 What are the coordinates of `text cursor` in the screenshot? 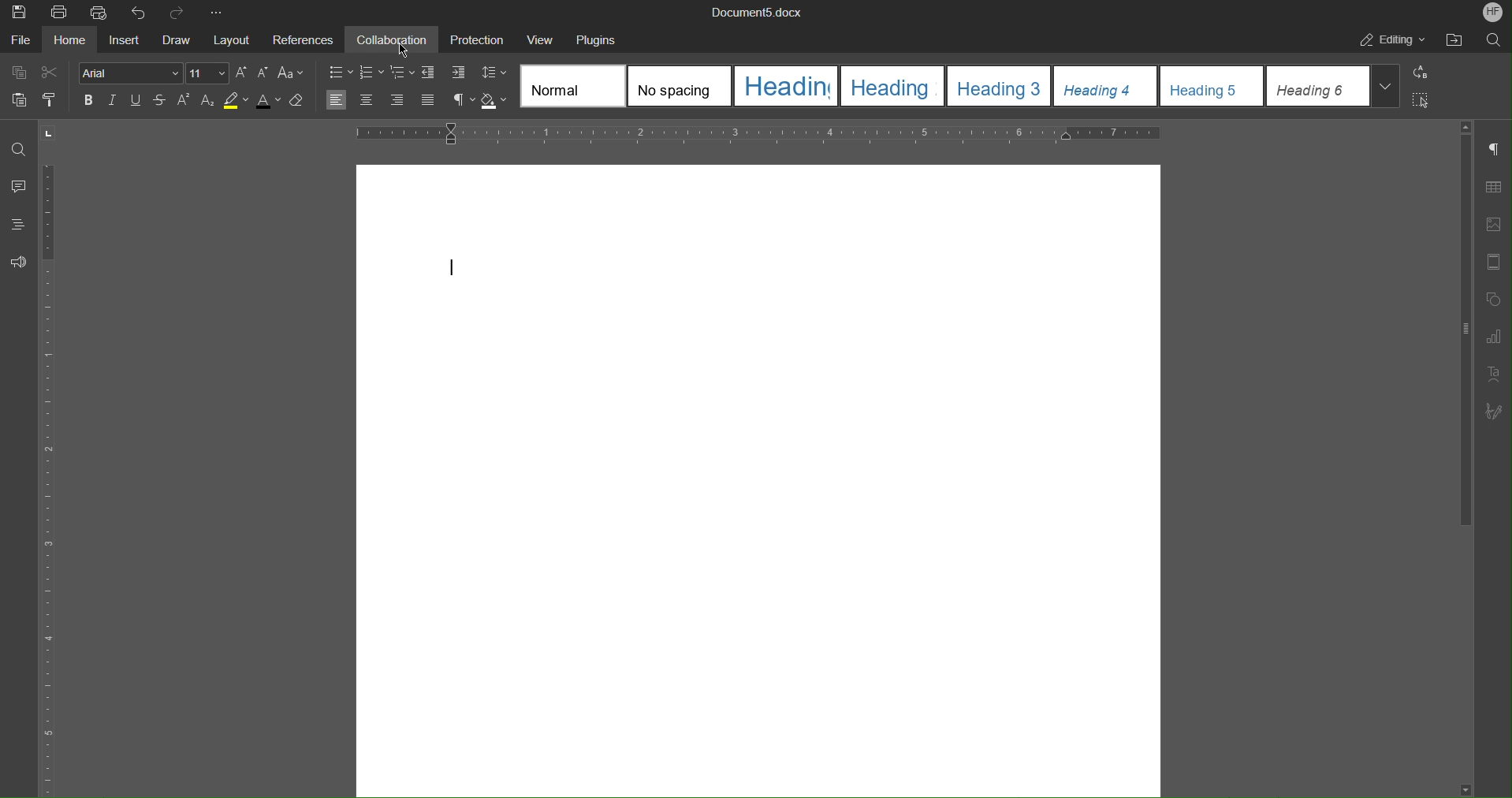 It's located at (450, 266).